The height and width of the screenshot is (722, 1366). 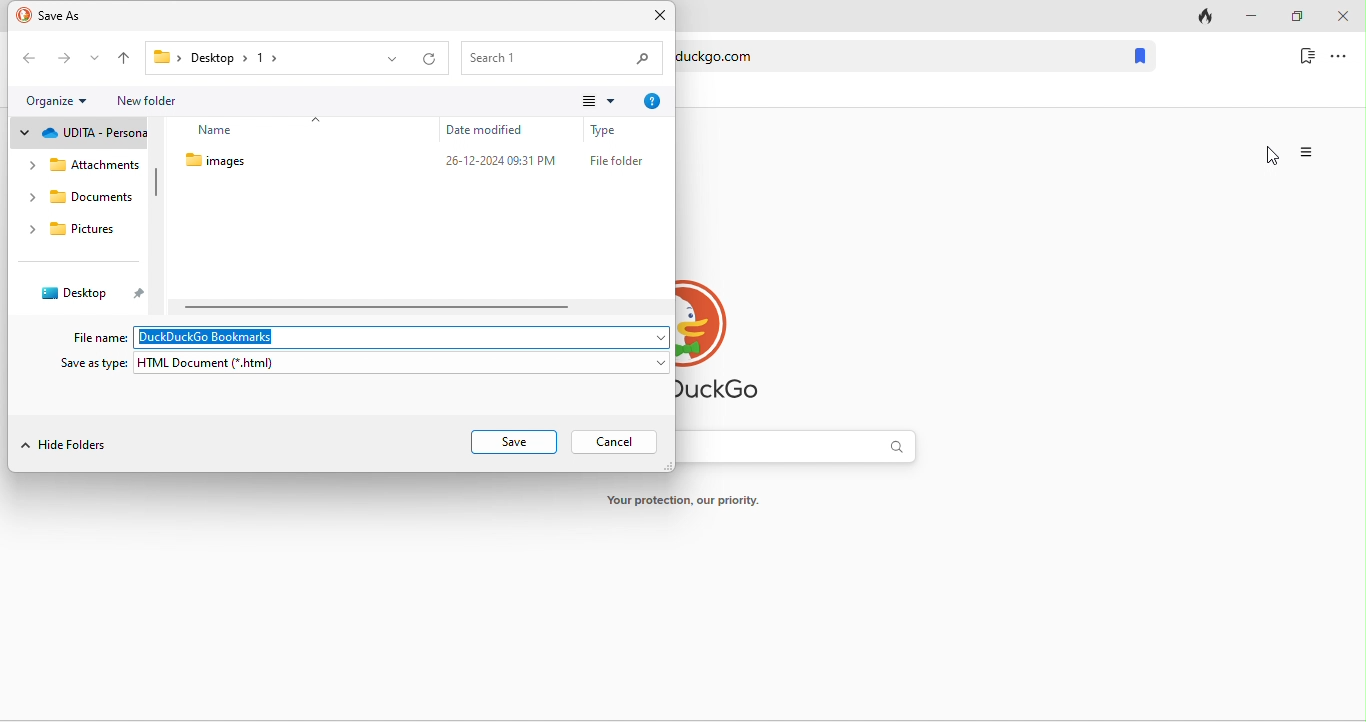 I want to click on file folder, so click(x=616, y=160).